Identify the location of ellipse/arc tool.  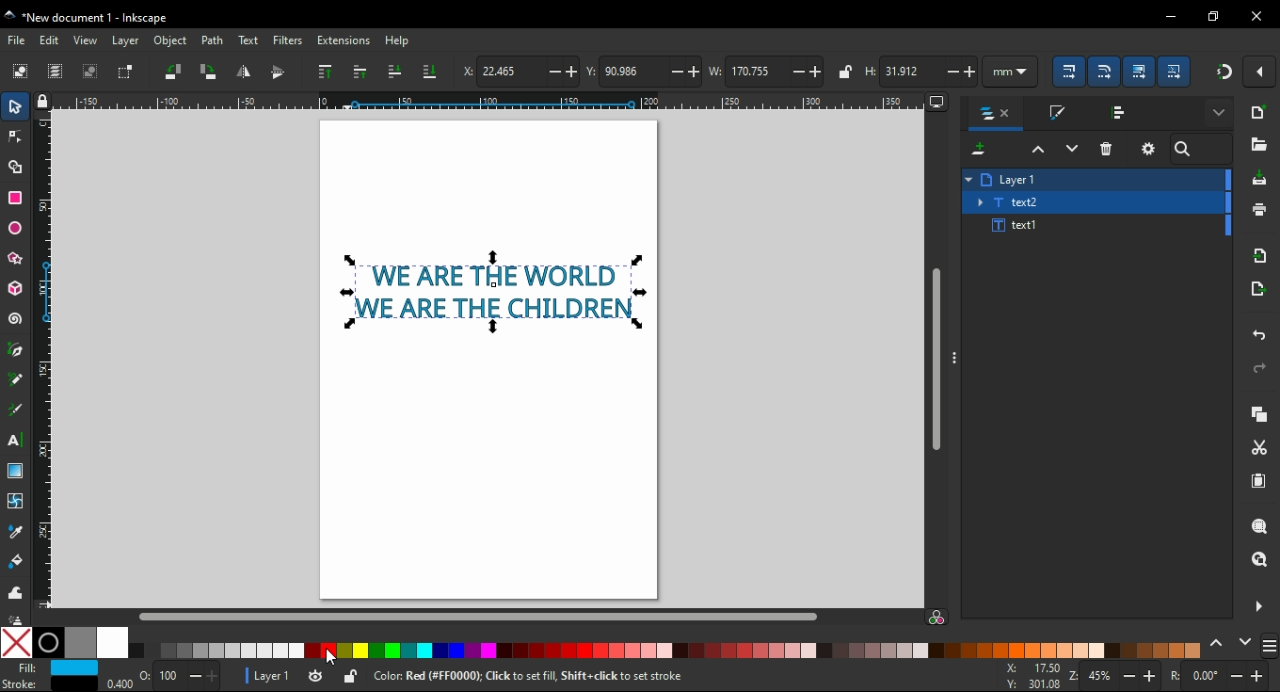
(17, 228).